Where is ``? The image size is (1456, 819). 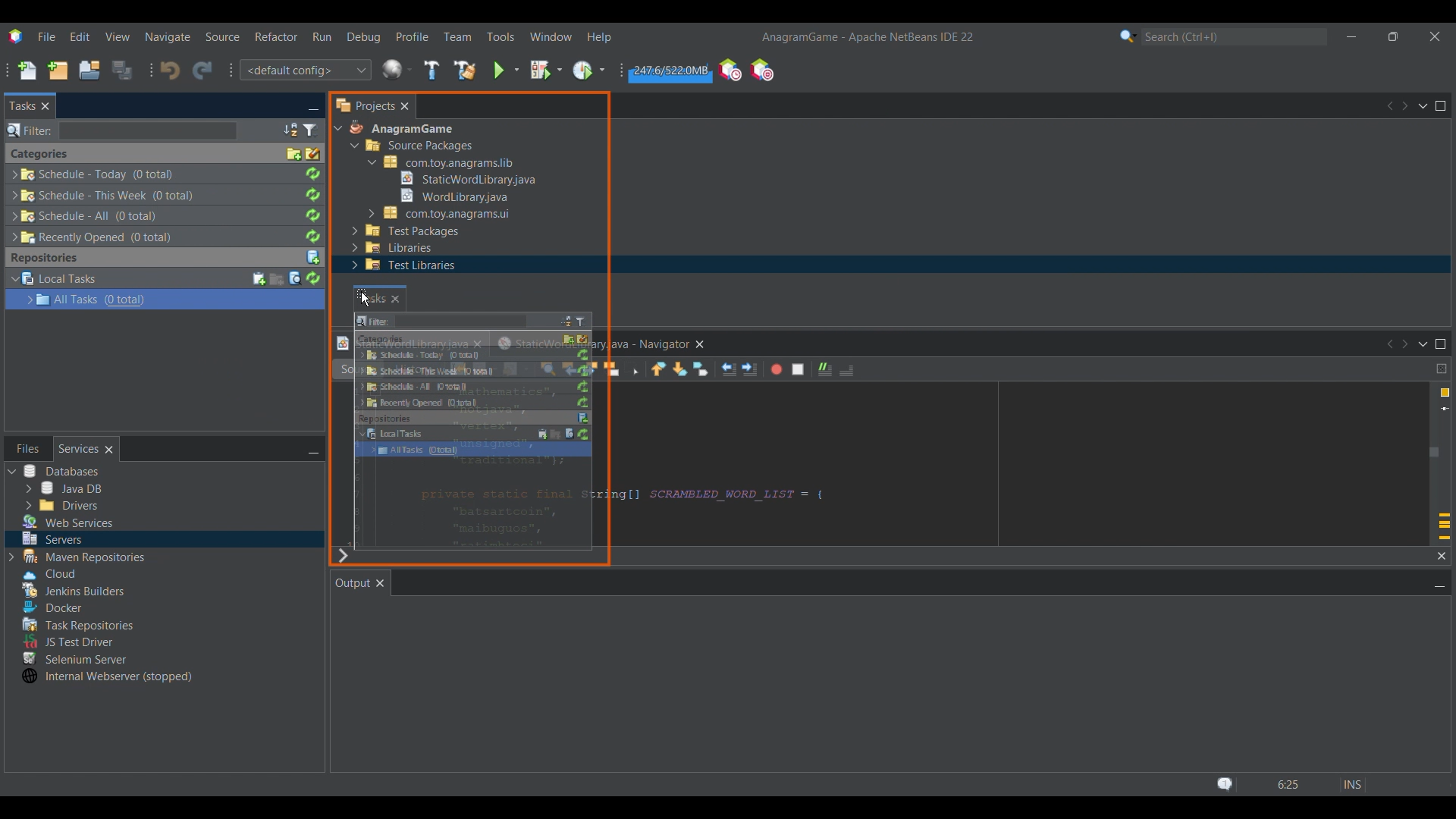  is located at coordinates (656, 344).